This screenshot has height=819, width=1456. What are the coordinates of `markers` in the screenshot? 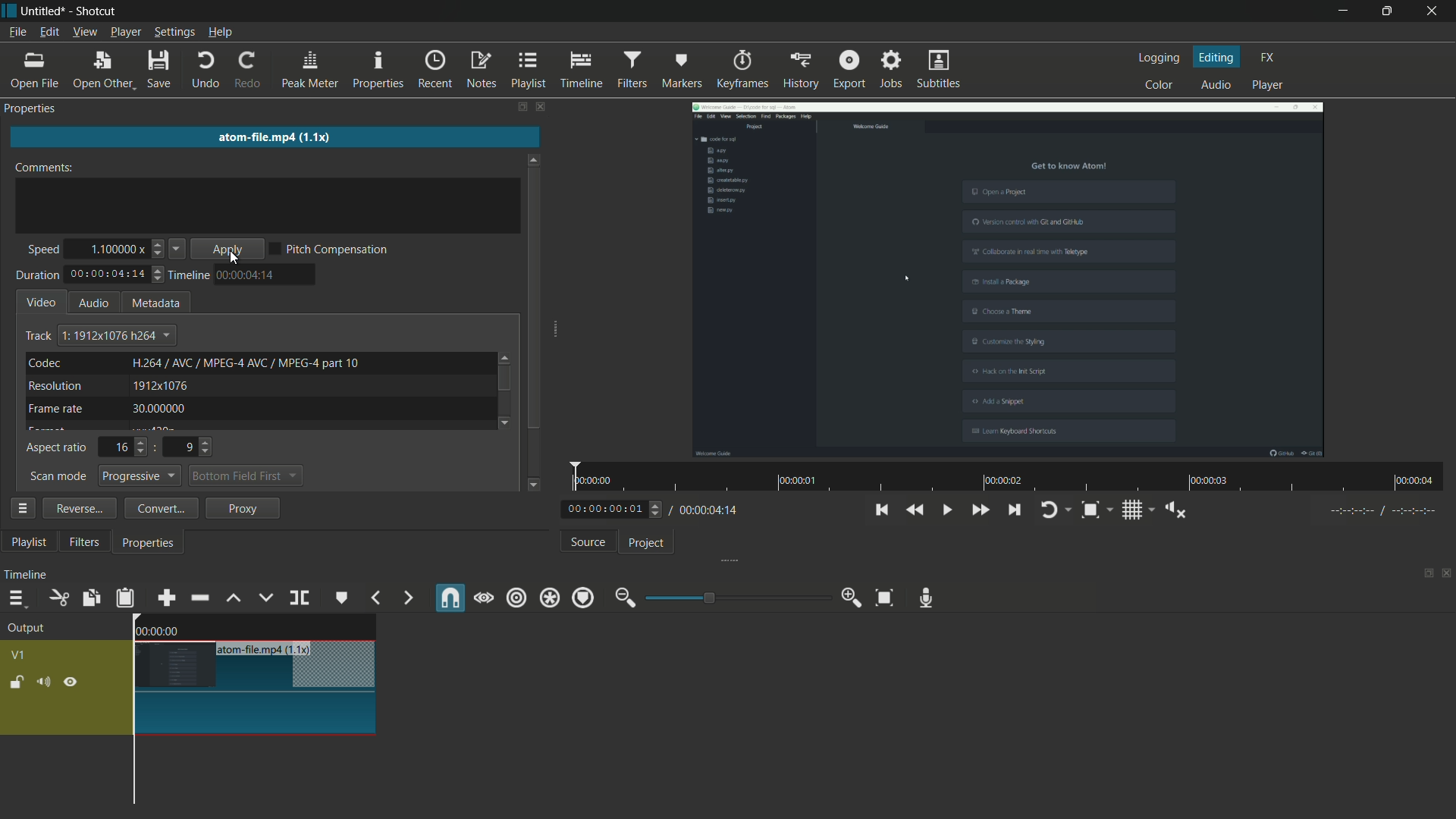 It's located at (683, 69).